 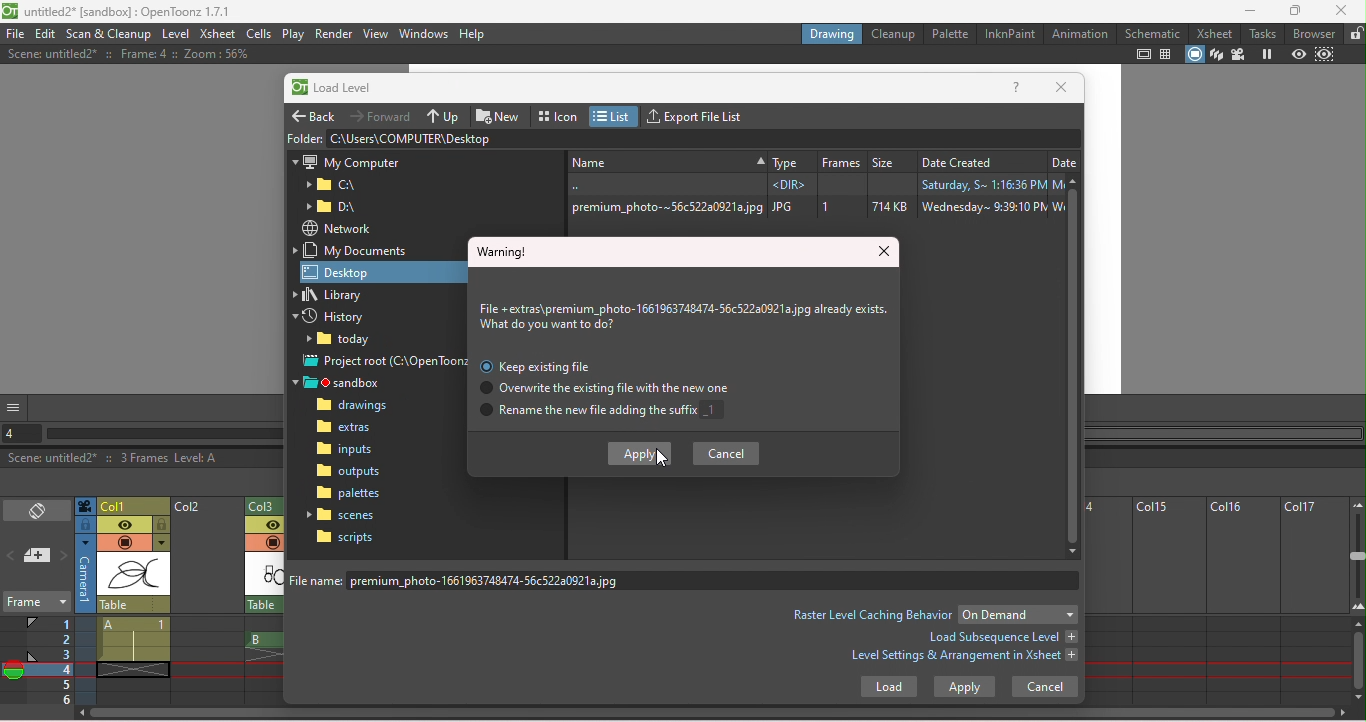 What do you see at coordinates (1266, 55) in the screenshot?
I see `Freeze` at bounding box center [1266, 55].